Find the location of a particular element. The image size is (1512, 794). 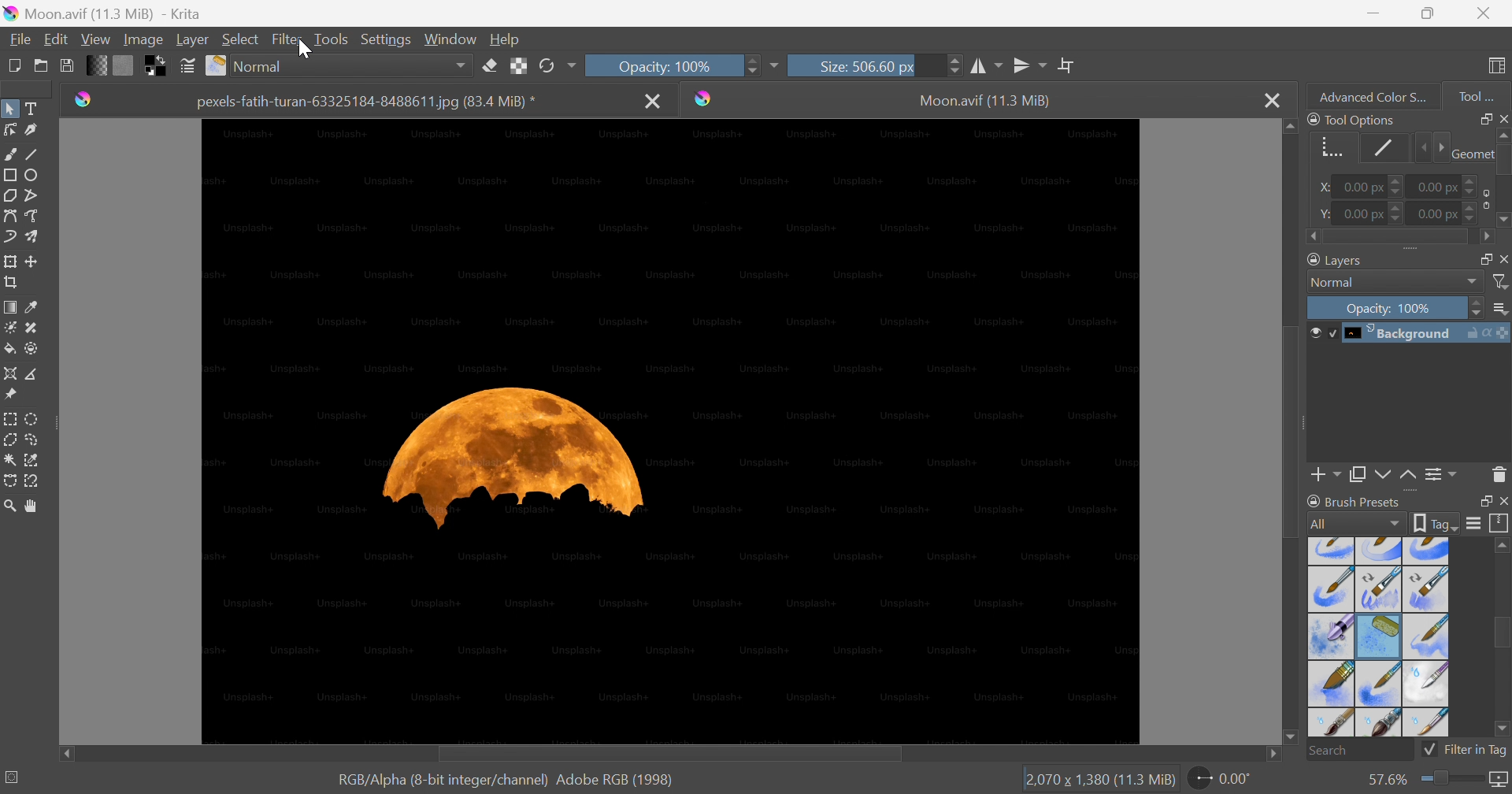

Scroll left is located at coordinates (65, 751).